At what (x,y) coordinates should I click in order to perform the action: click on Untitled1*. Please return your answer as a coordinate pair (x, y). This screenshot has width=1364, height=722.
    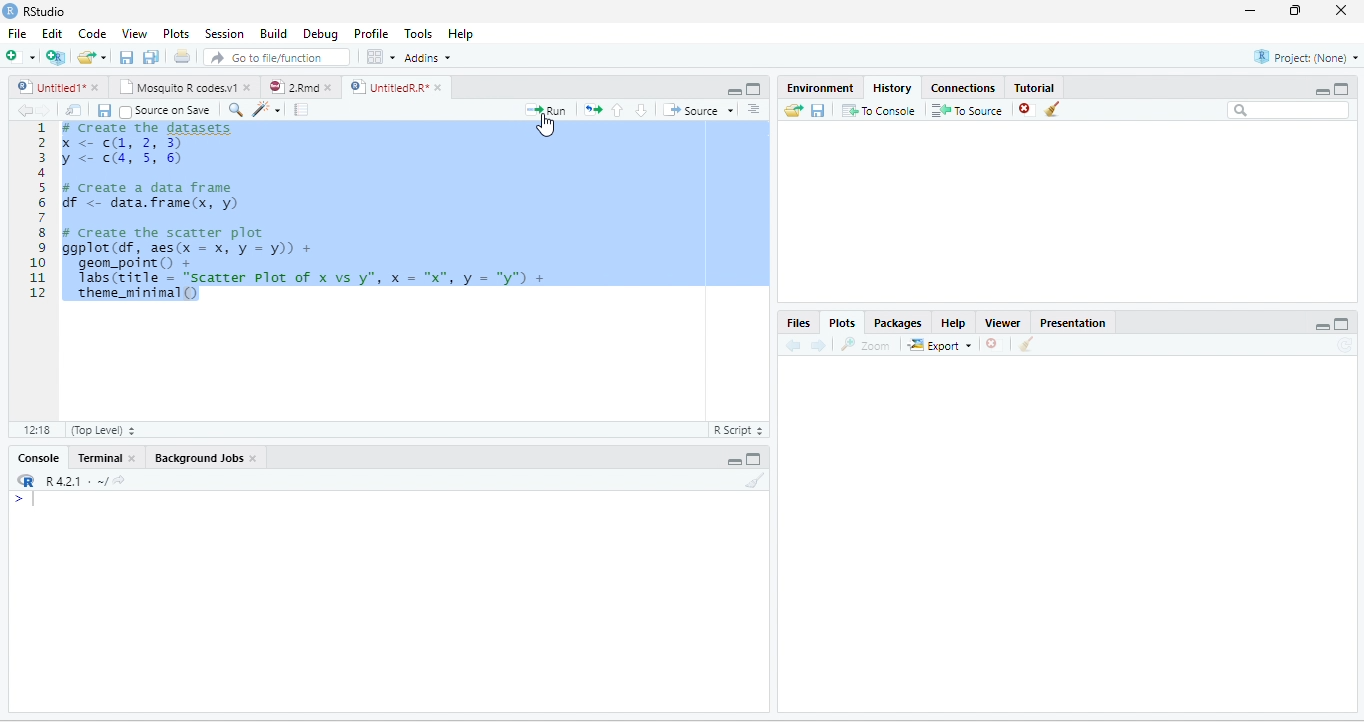
    Looking at the image, I should click on (48, 87).